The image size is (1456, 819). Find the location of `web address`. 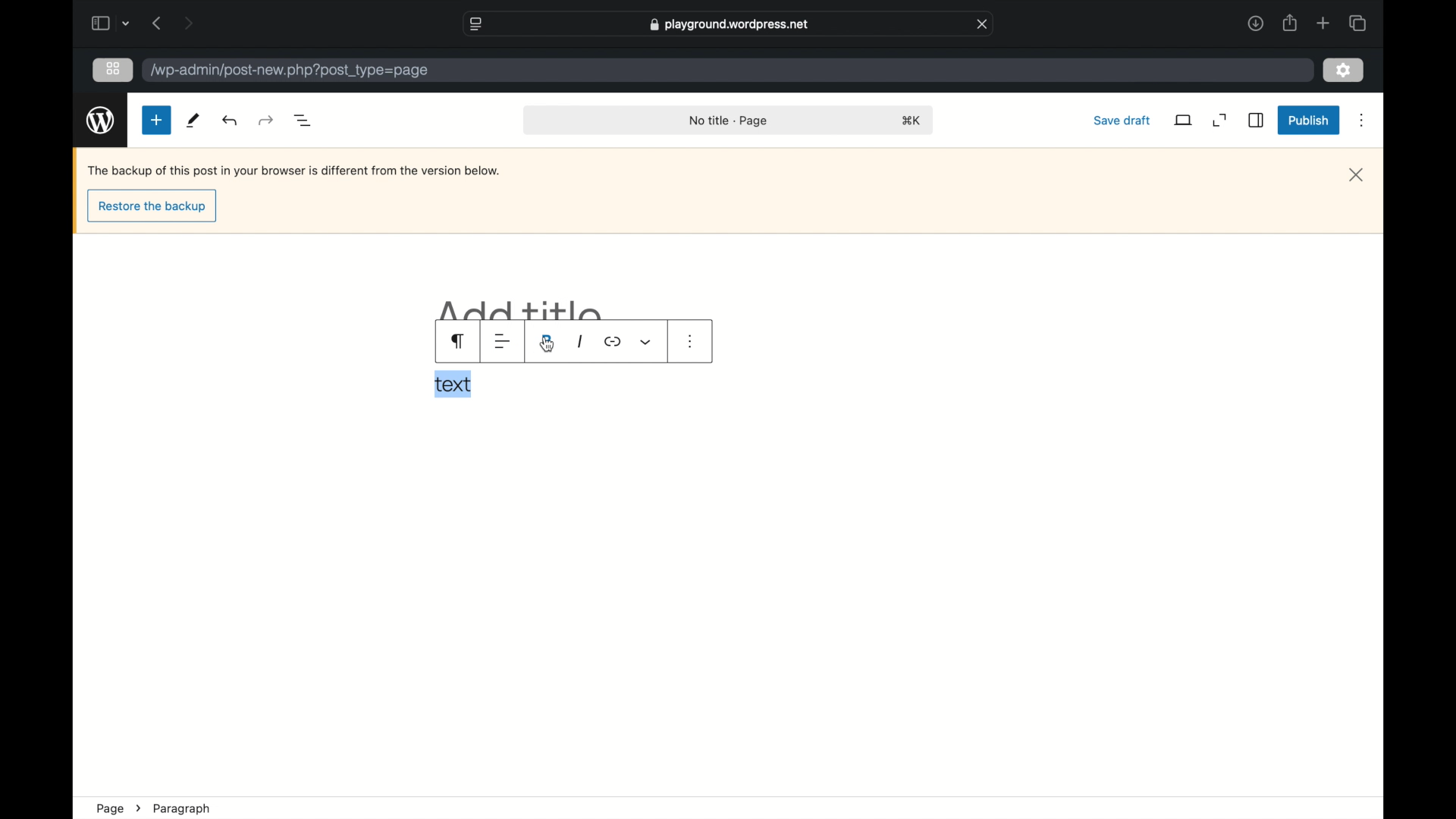

web address is located at coordinates (729, 25).